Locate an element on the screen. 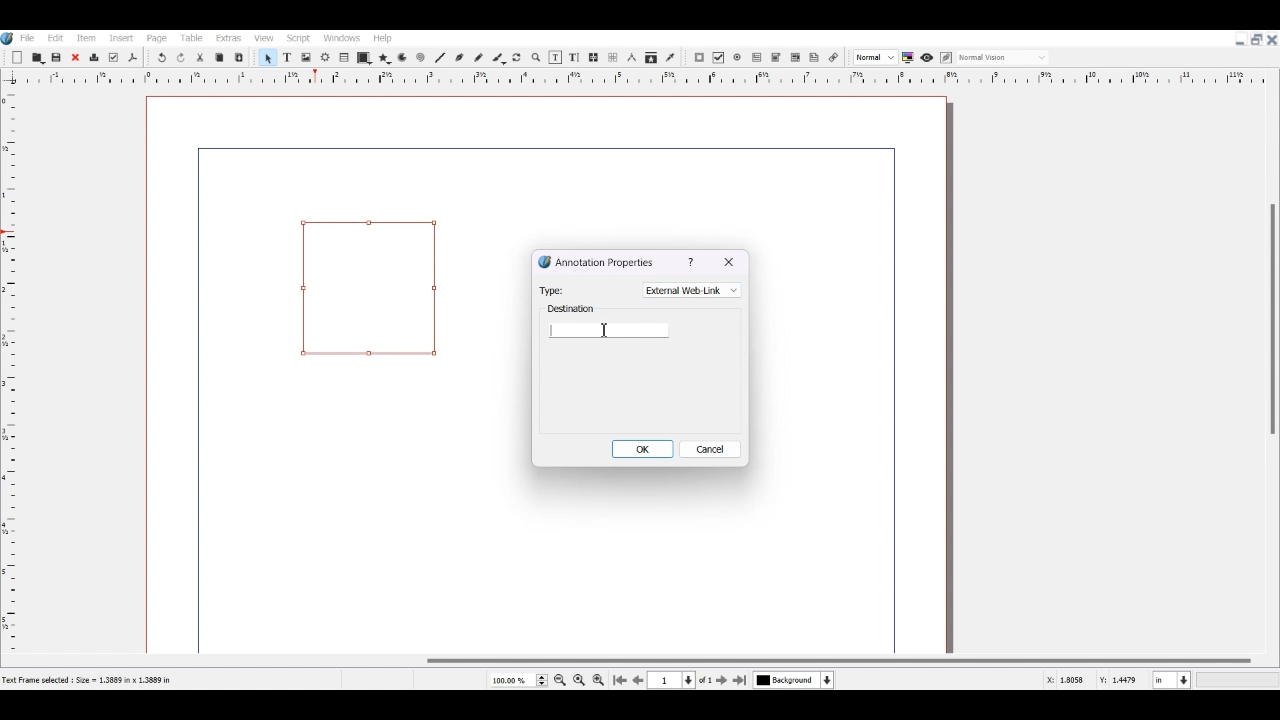 The image size is (1280, 720). X, Y Co-ordinate is located at coordinates (1067, 680).